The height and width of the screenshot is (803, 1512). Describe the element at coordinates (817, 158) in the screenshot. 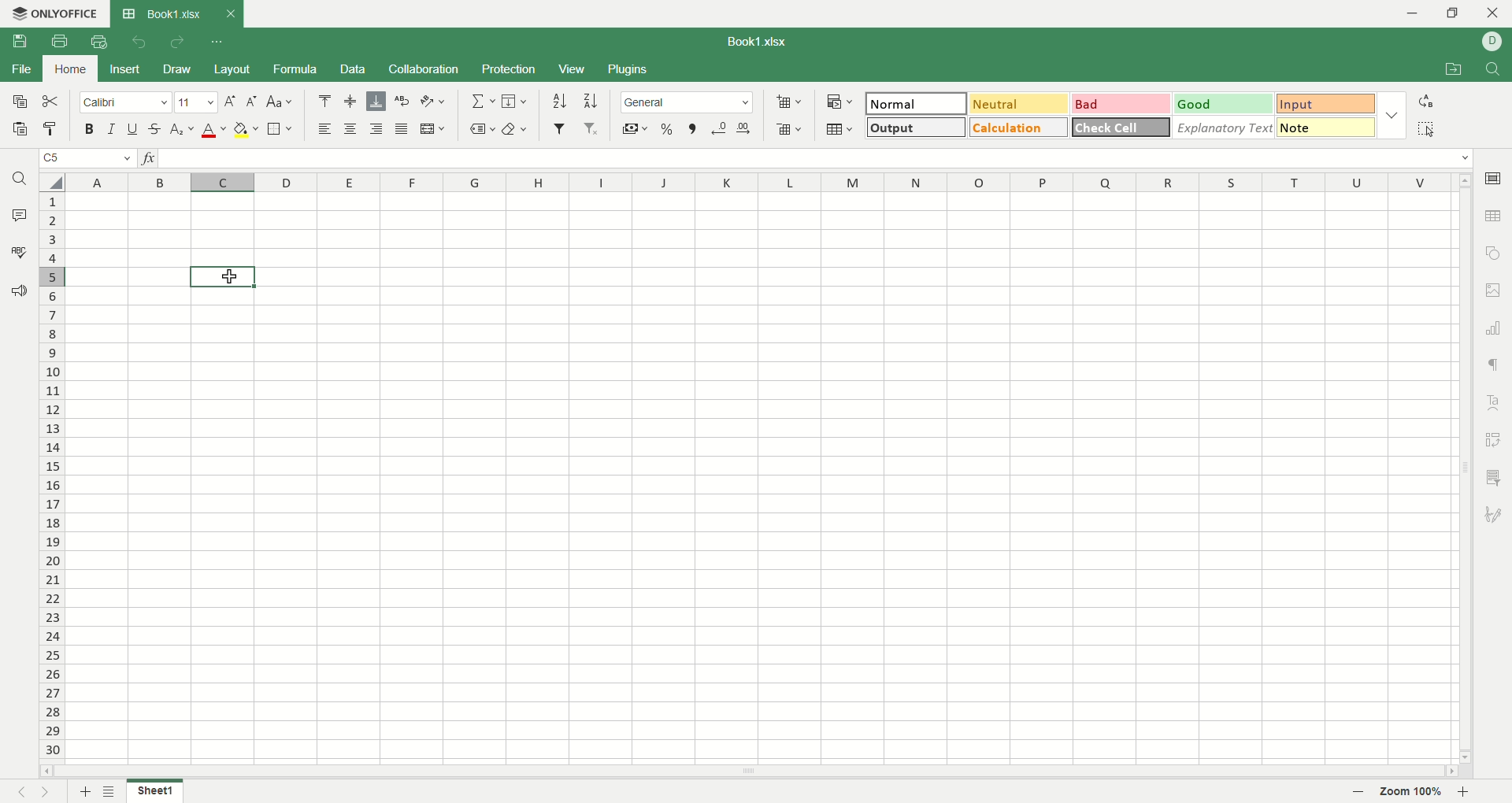

I see `formula bar` at that location.